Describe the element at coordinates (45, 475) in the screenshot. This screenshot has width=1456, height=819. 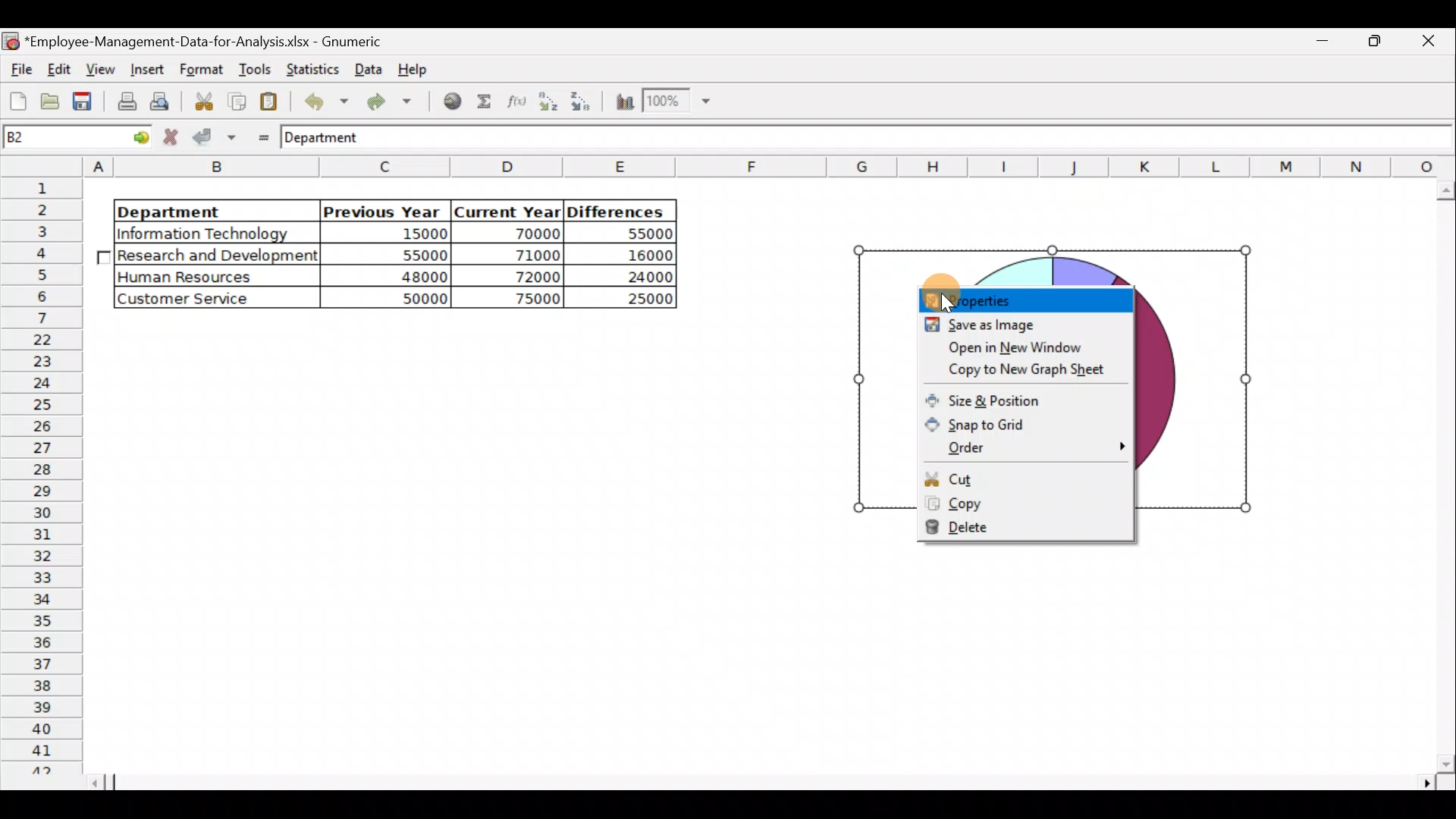
I see `Rows` at that location.